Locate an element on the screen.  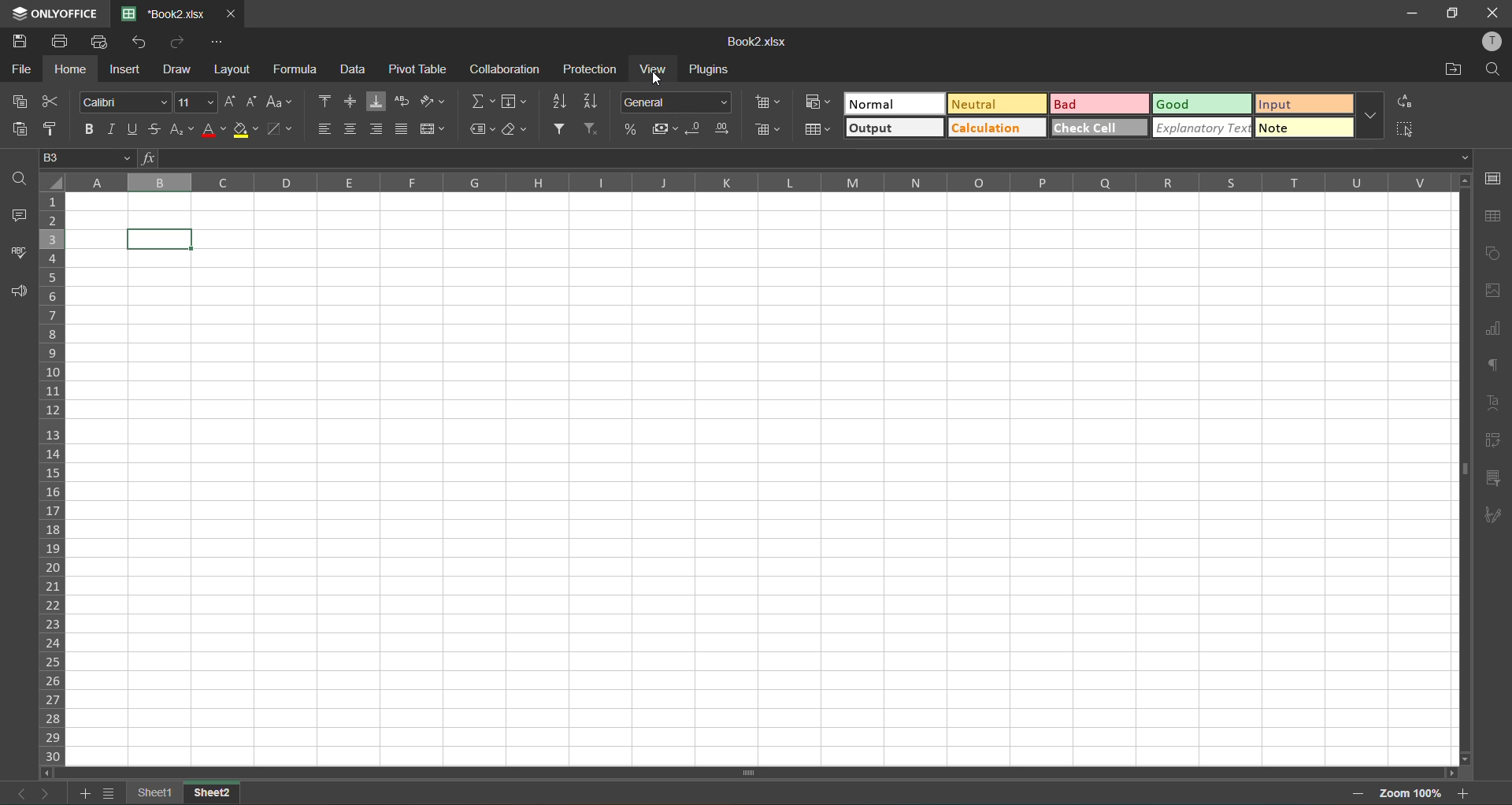
justified is located at coordinates (405, 128).